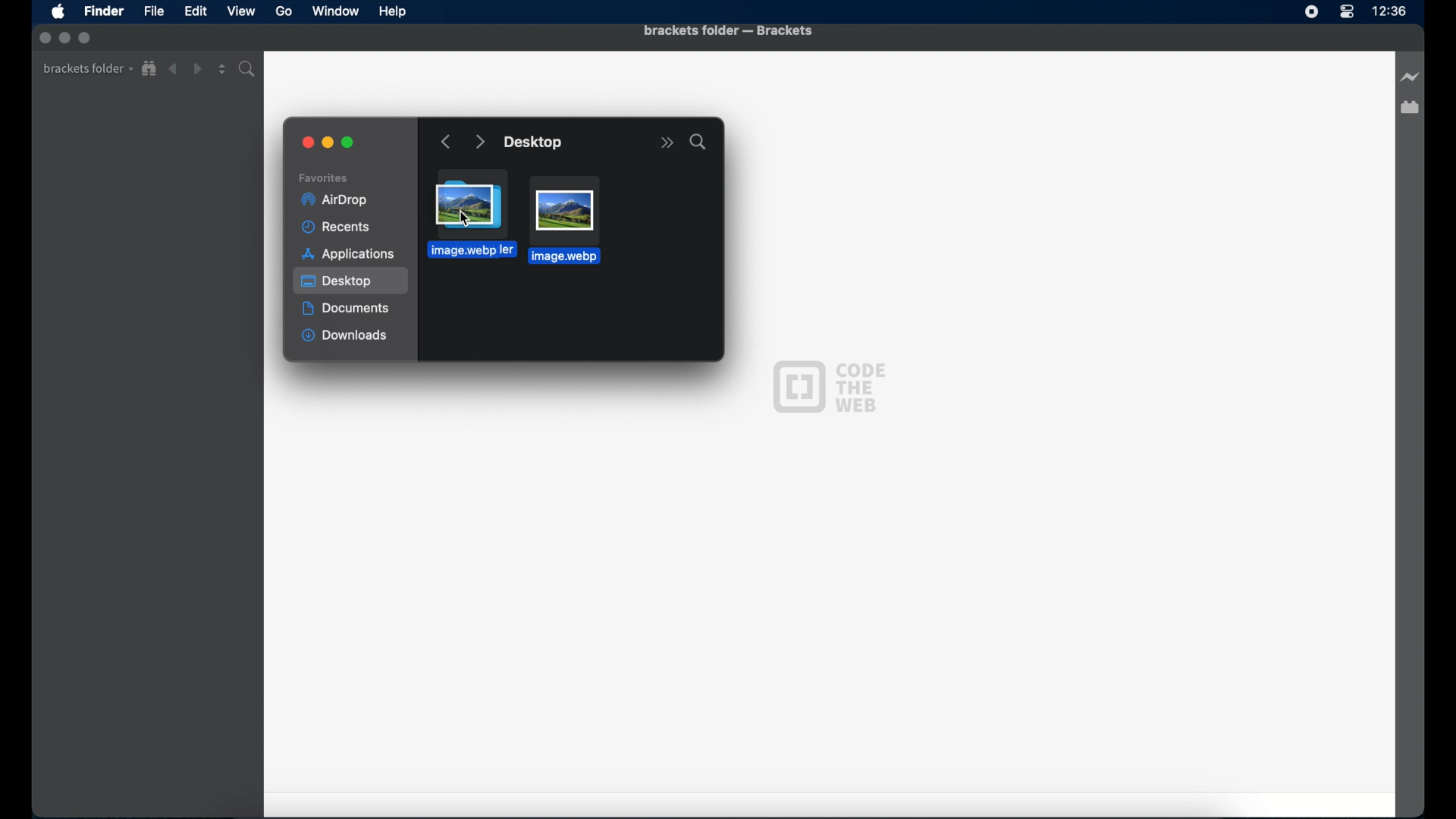 The image size is (1456, 819). I want to click on find in folder, so click(249, 69).